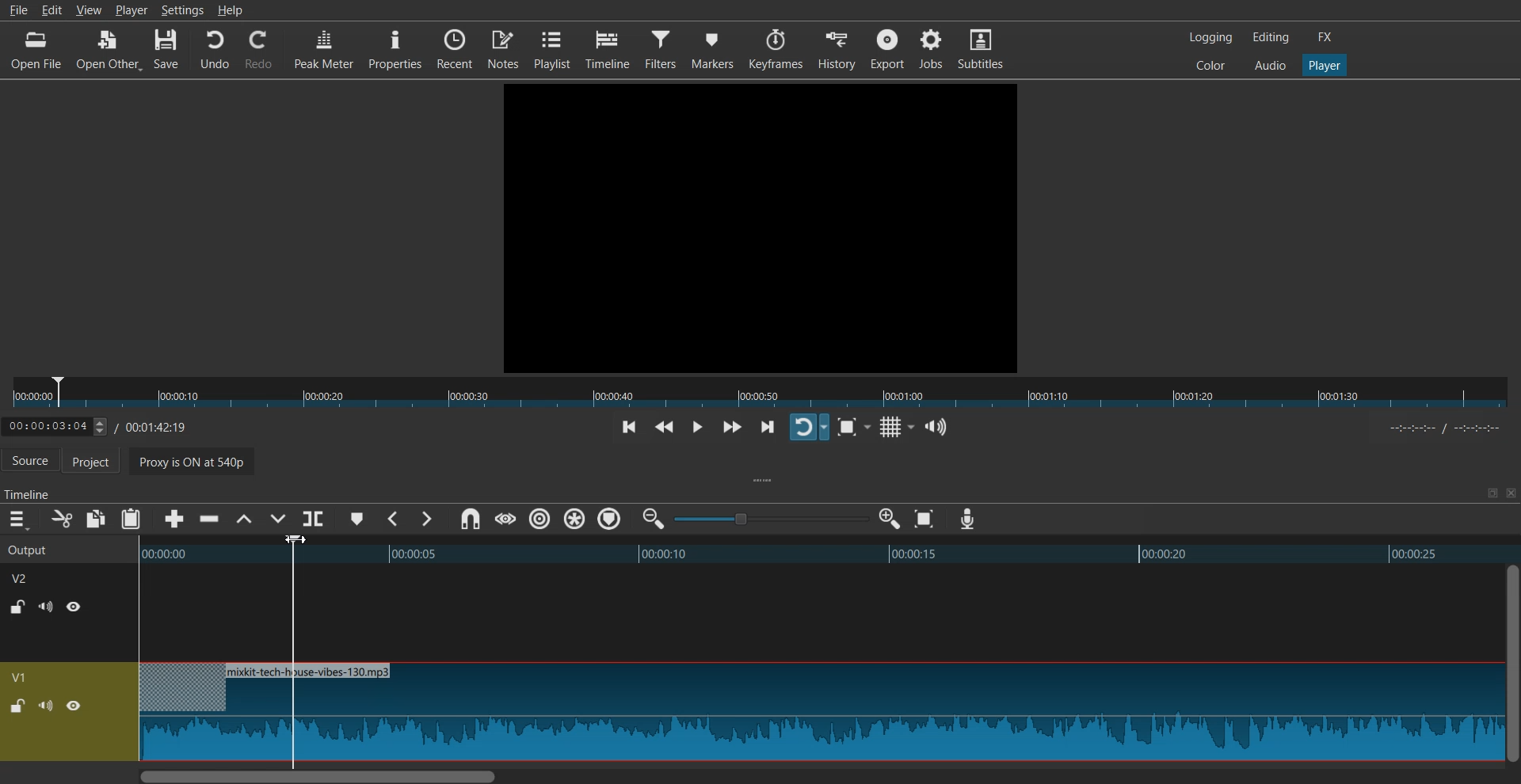 The width and height of the screenshot is (1521, 784). Describe the element at coordinates (21, 677) in the screenshot. I see `V1` at that location.